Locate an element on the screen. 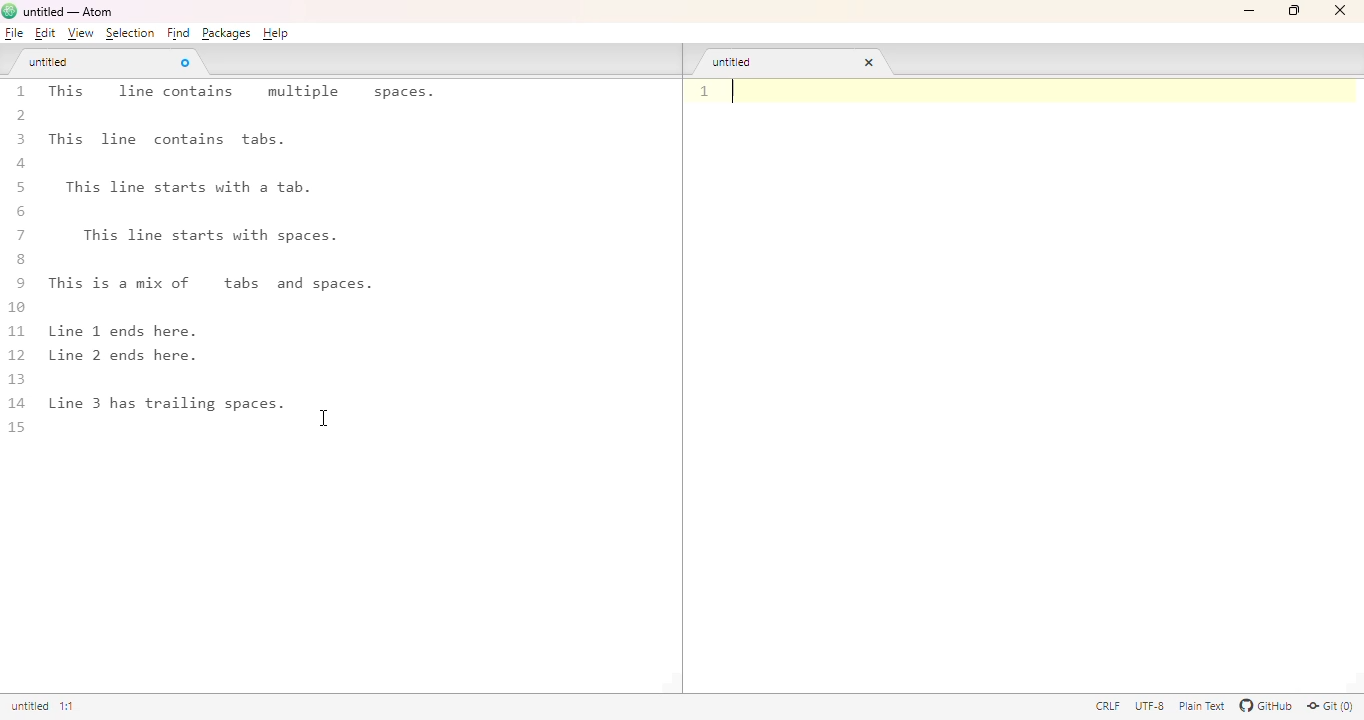  selection is located at coordinates (131, 33).